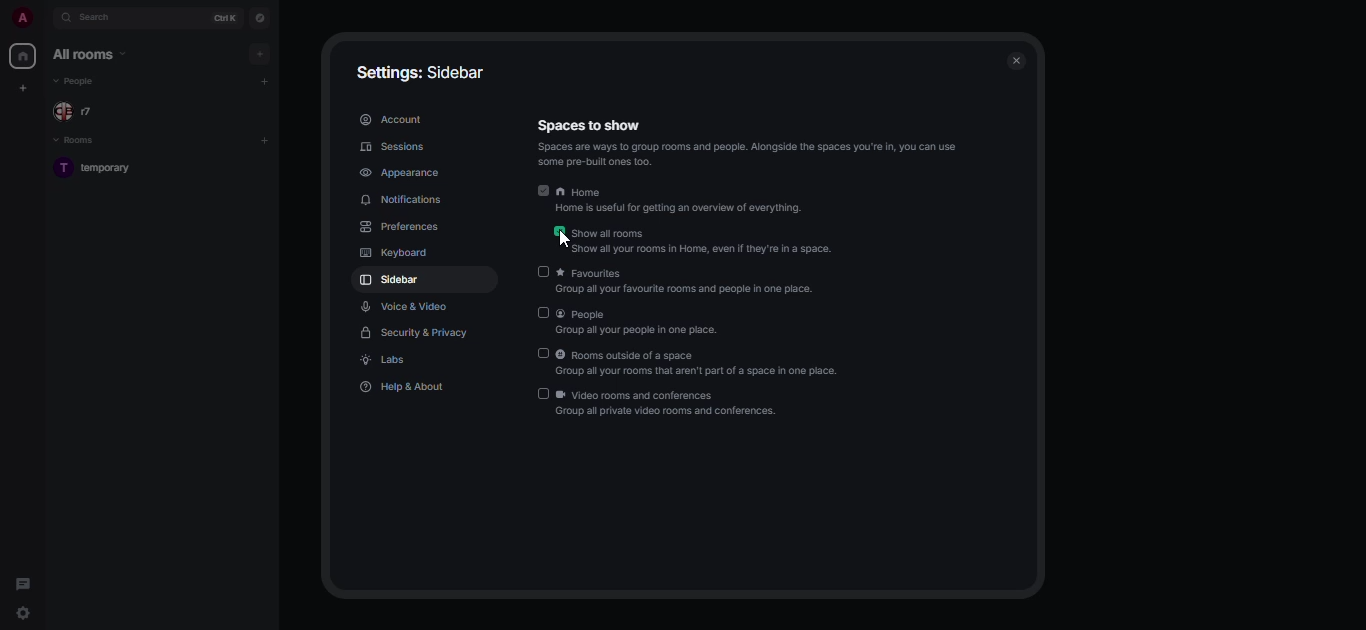 Image resolution: width=1366 pixels, height=630 pixels. I want to click on close, so click(1017, 62).